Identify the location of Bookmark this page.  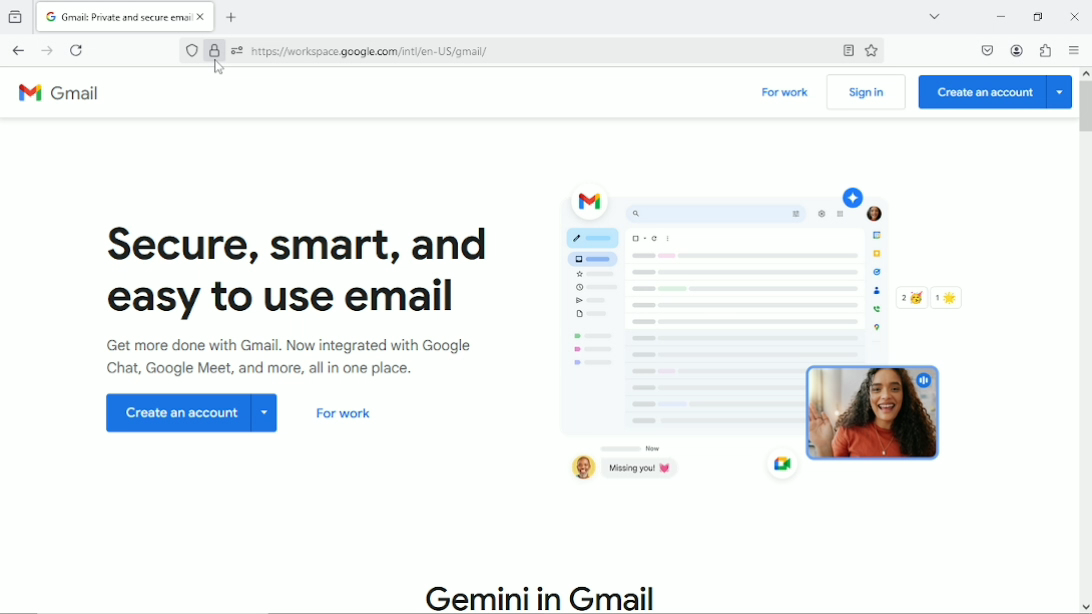
(871, 49).